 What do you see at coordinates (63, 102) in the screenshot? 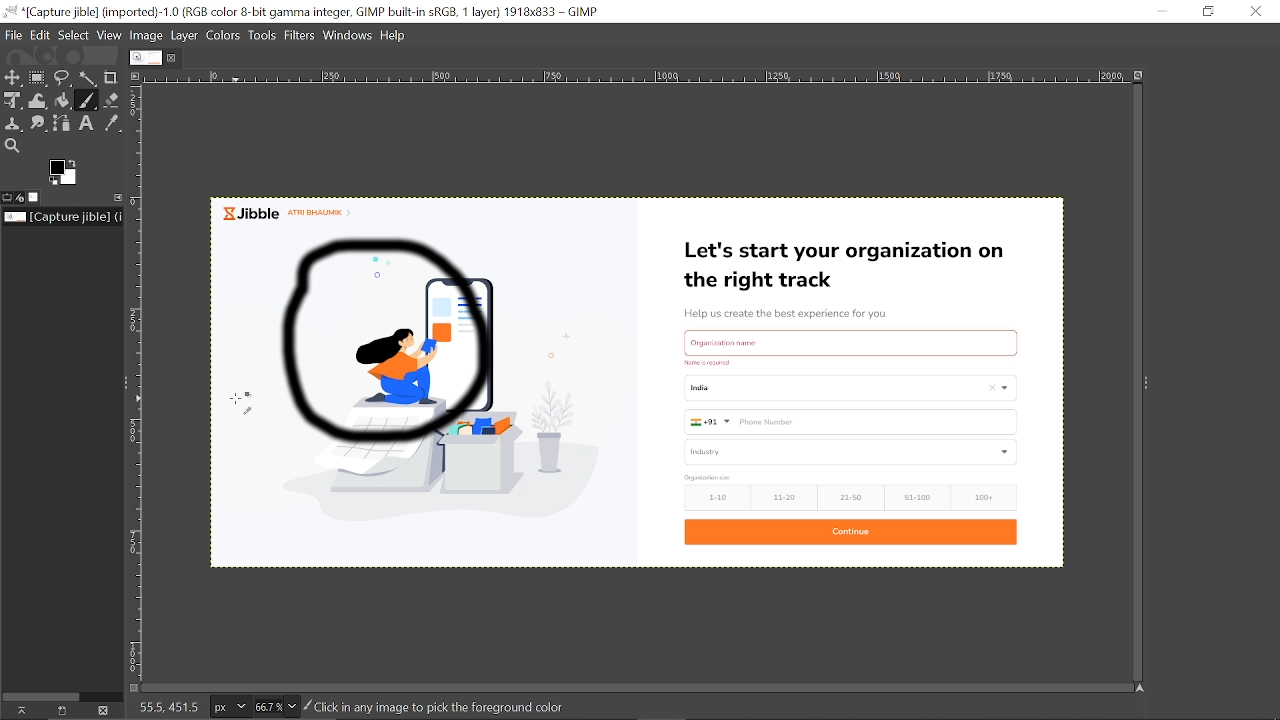
I see `bucket fill tool` at bounding box center [63, 102].